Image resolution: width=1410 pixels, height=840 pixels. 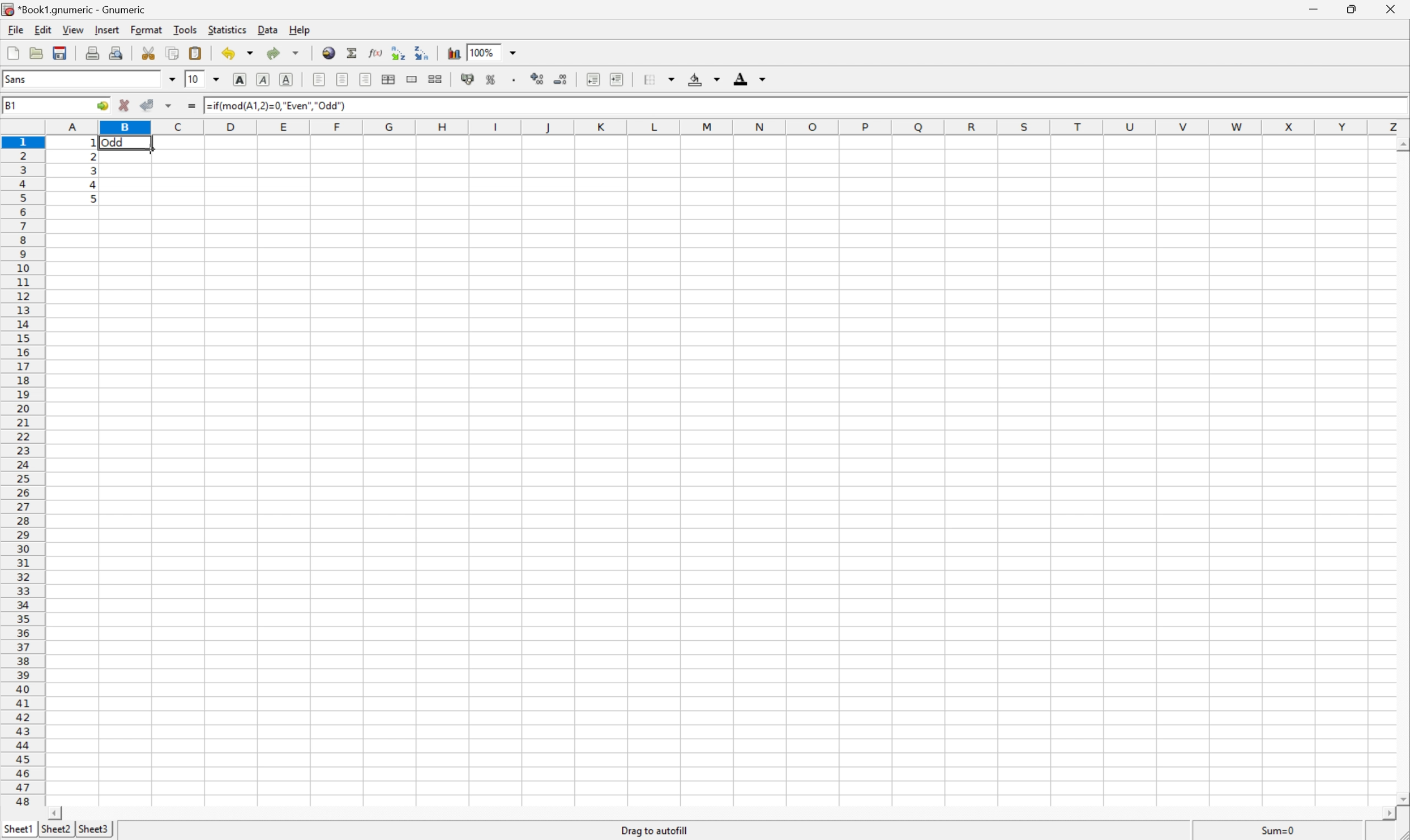 I want to click on Paste clipboard, so click(x=195, y=53).